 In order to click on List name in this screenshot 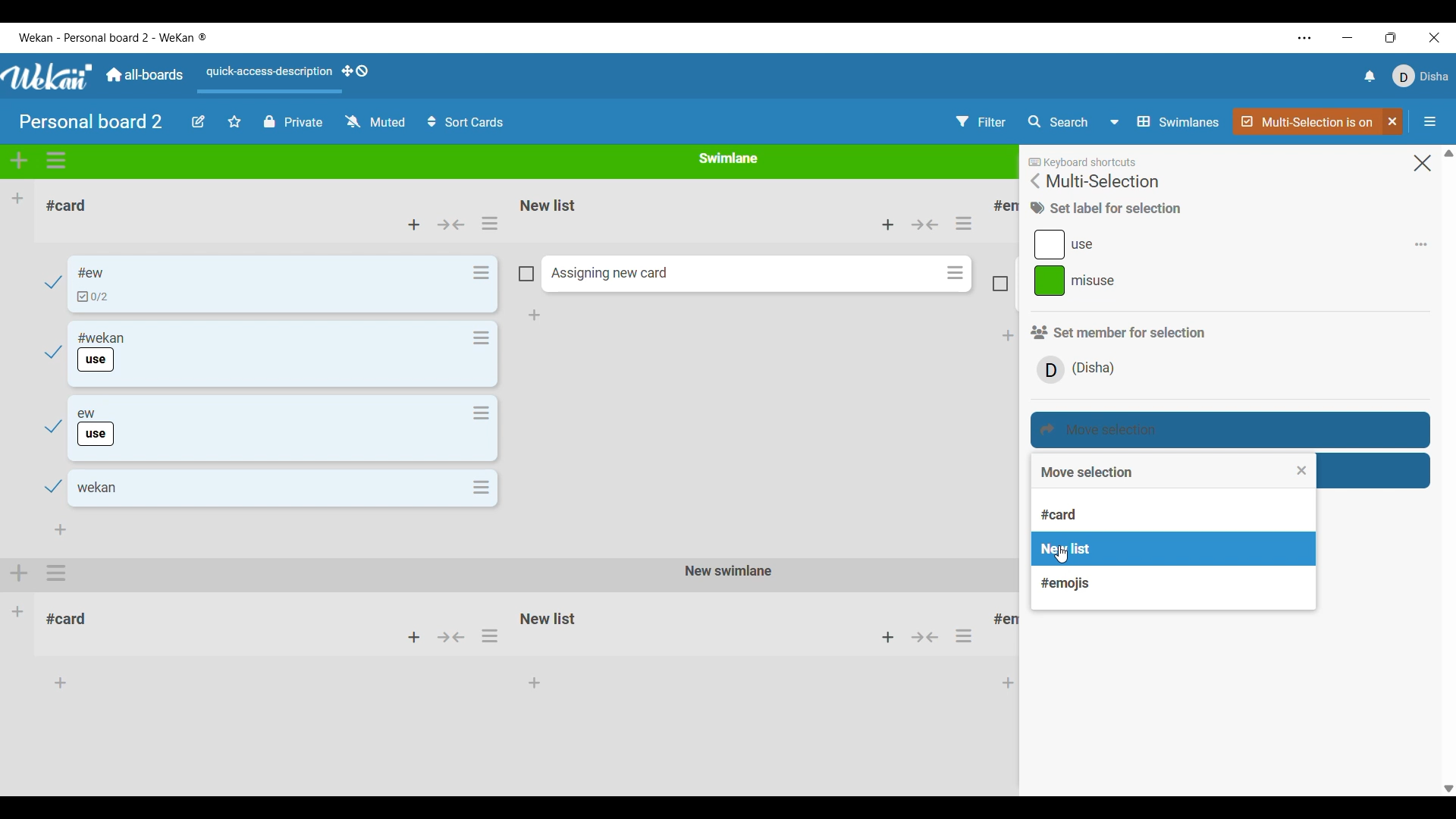, I will do `click(67, 206)`.